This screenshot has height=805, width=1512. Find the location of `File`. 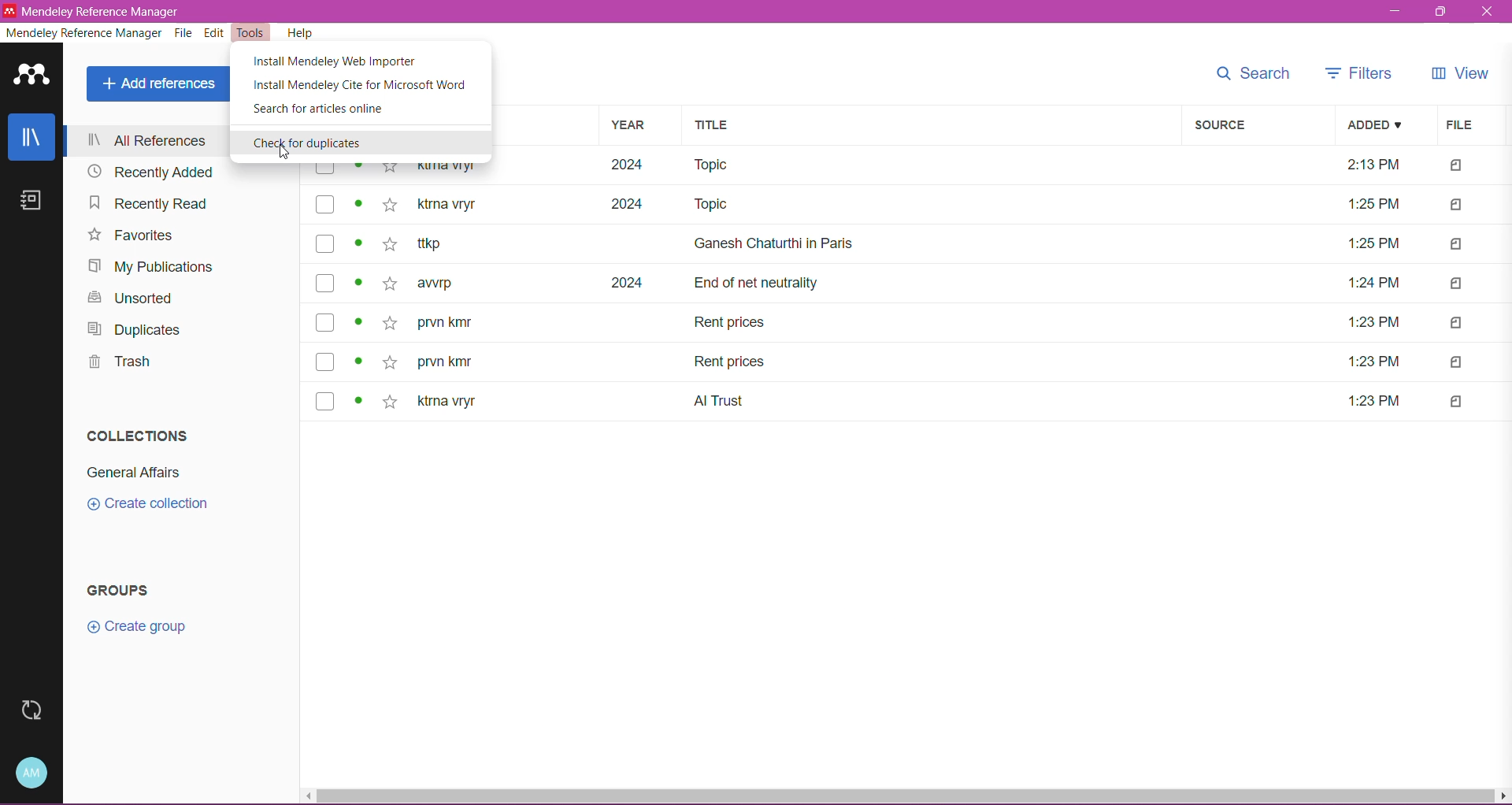

File is located at coordinates (185, 34).